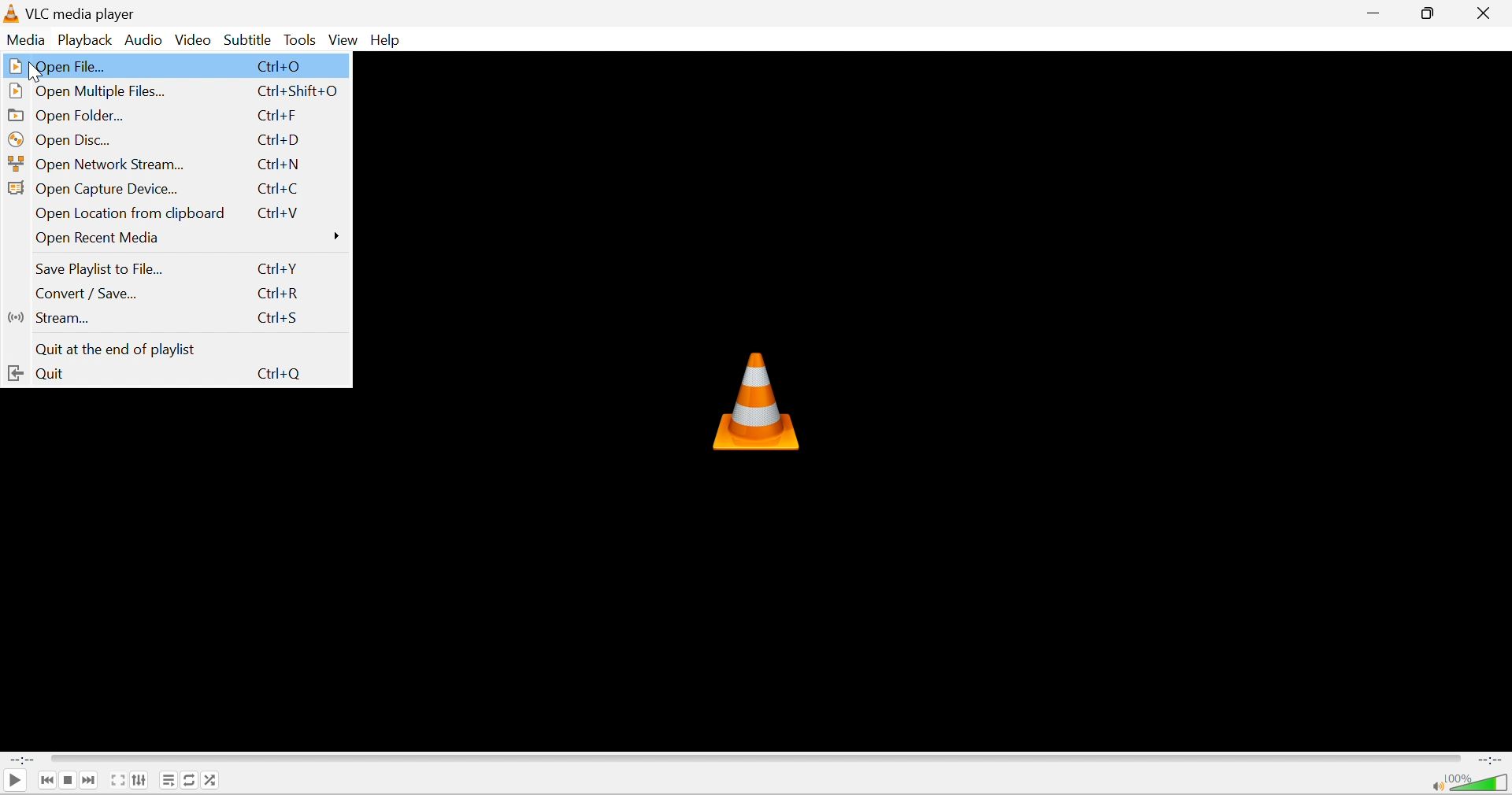 The height and width of the screenshot is (795, 1512). What do you see at coordinates (280, 140) in the screenshot?
I see `Ctrl + D` at bounding box center [280, 140].